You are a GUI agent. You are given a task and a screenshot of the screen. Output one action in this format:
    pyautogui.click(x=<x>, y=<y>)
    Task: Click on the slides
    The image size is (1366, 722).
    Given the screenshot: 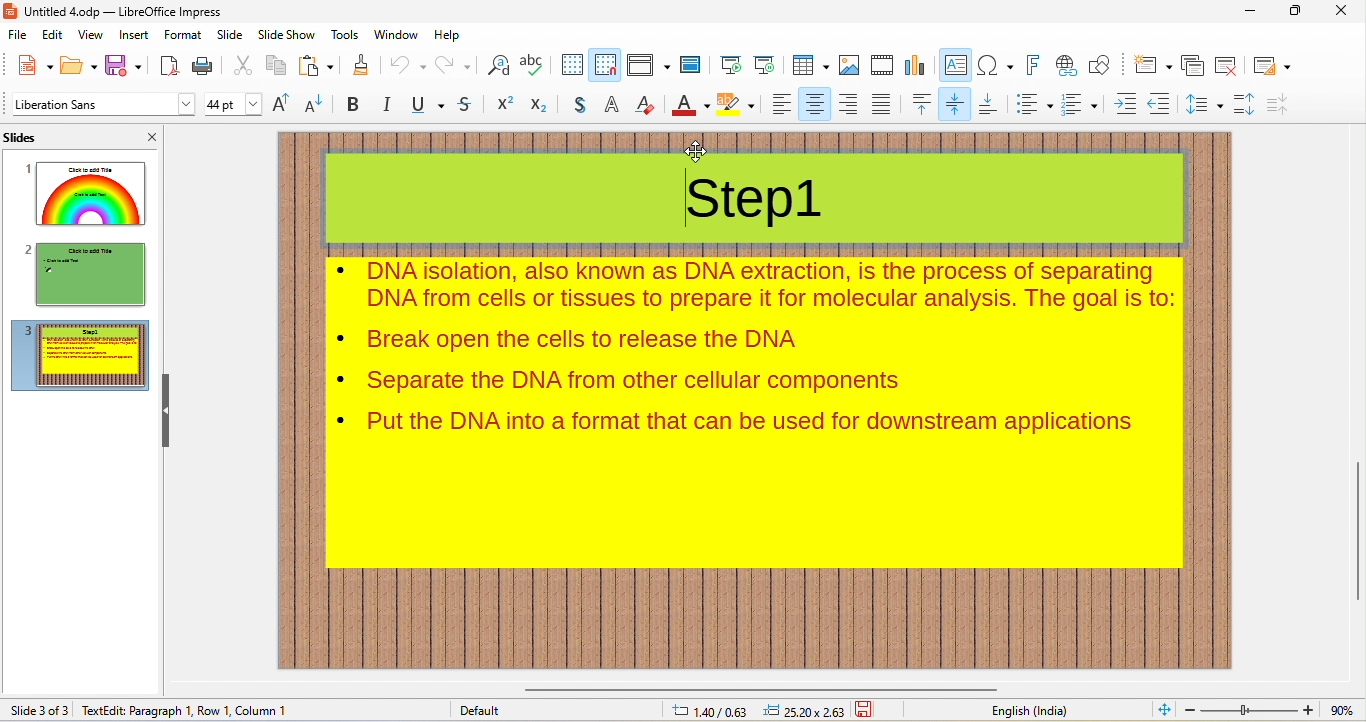 What is the action you would take?
    pyautogui.click(x=27, y=135)
    